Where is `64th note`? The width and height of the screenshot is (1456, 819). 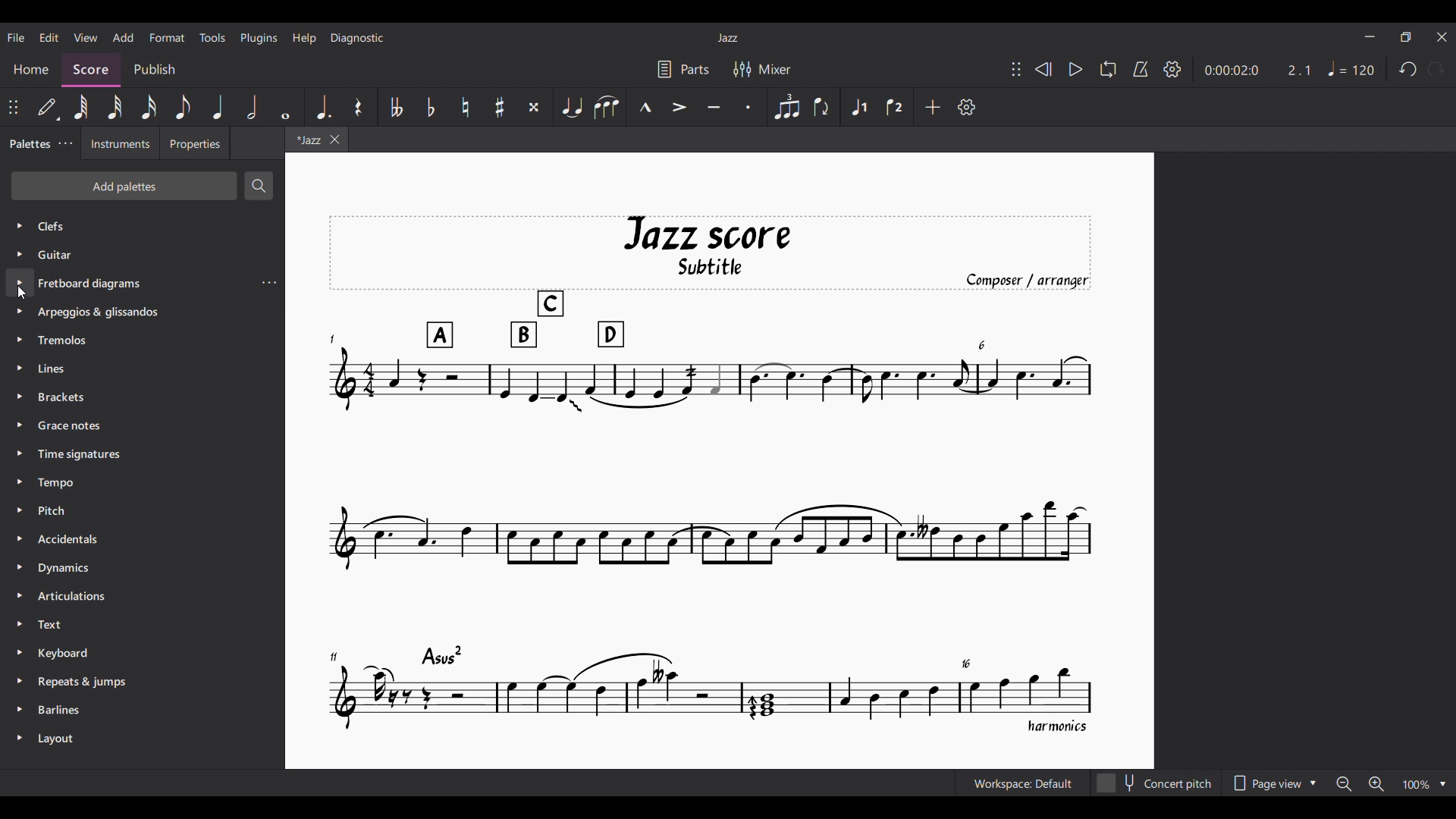
64th note is located at coordinates (80, 106).